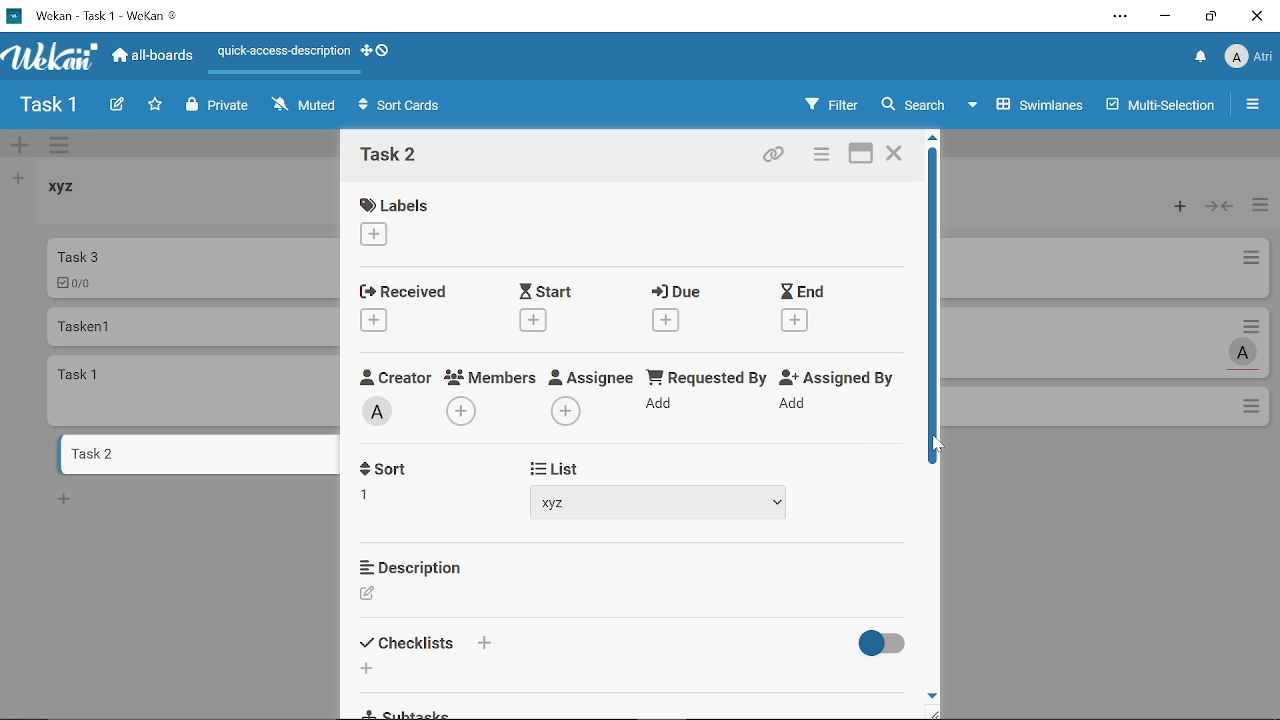 The width and height of the screenshot is (1280, 720). What do you see at coordinates (155, 106) in the screenshot?
I see `Click here to star this board` at bounding box center [155, 106].